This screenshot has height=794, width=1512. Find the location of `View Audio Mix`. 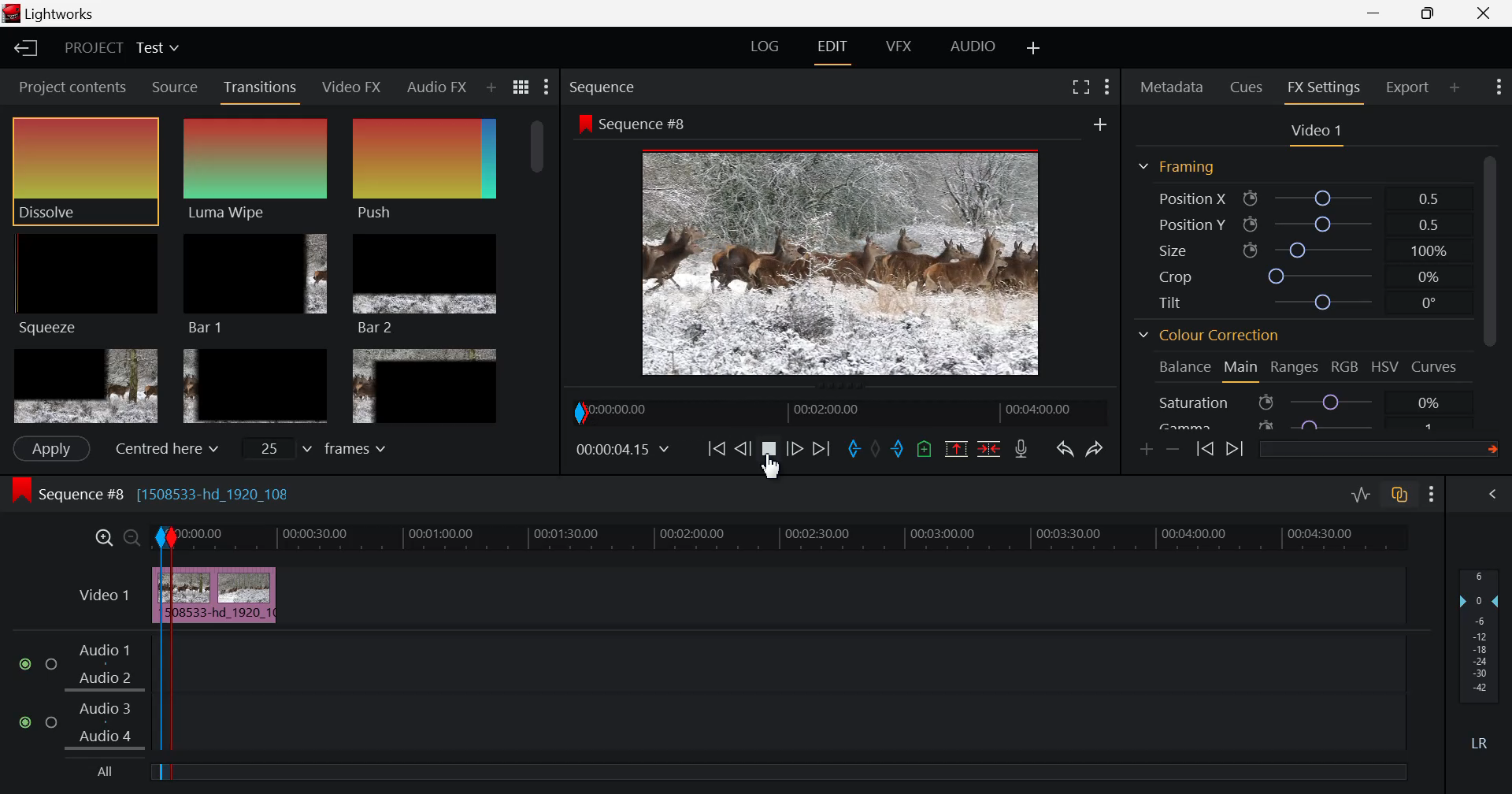

View Audio Mix is located at coordinates (1495, 495).